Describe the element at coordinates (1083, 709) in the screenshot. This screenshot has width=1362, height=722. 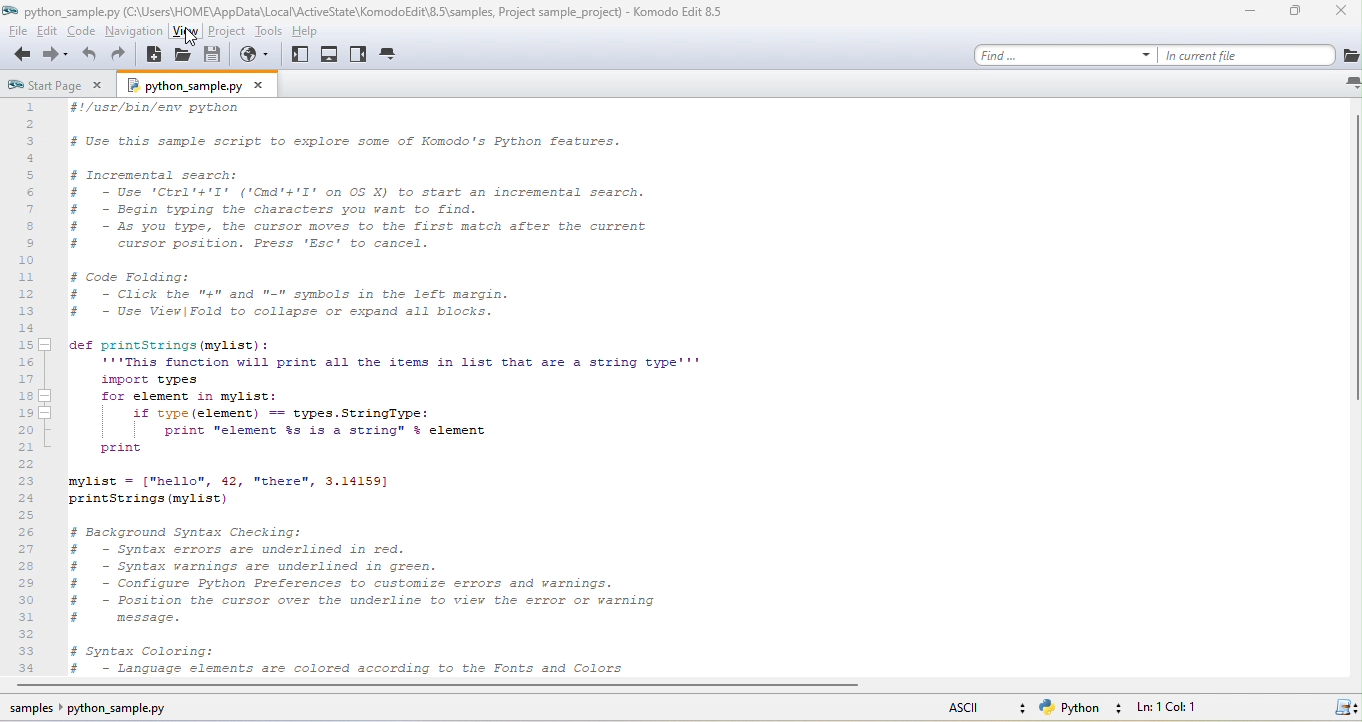
I see `python` at that location.